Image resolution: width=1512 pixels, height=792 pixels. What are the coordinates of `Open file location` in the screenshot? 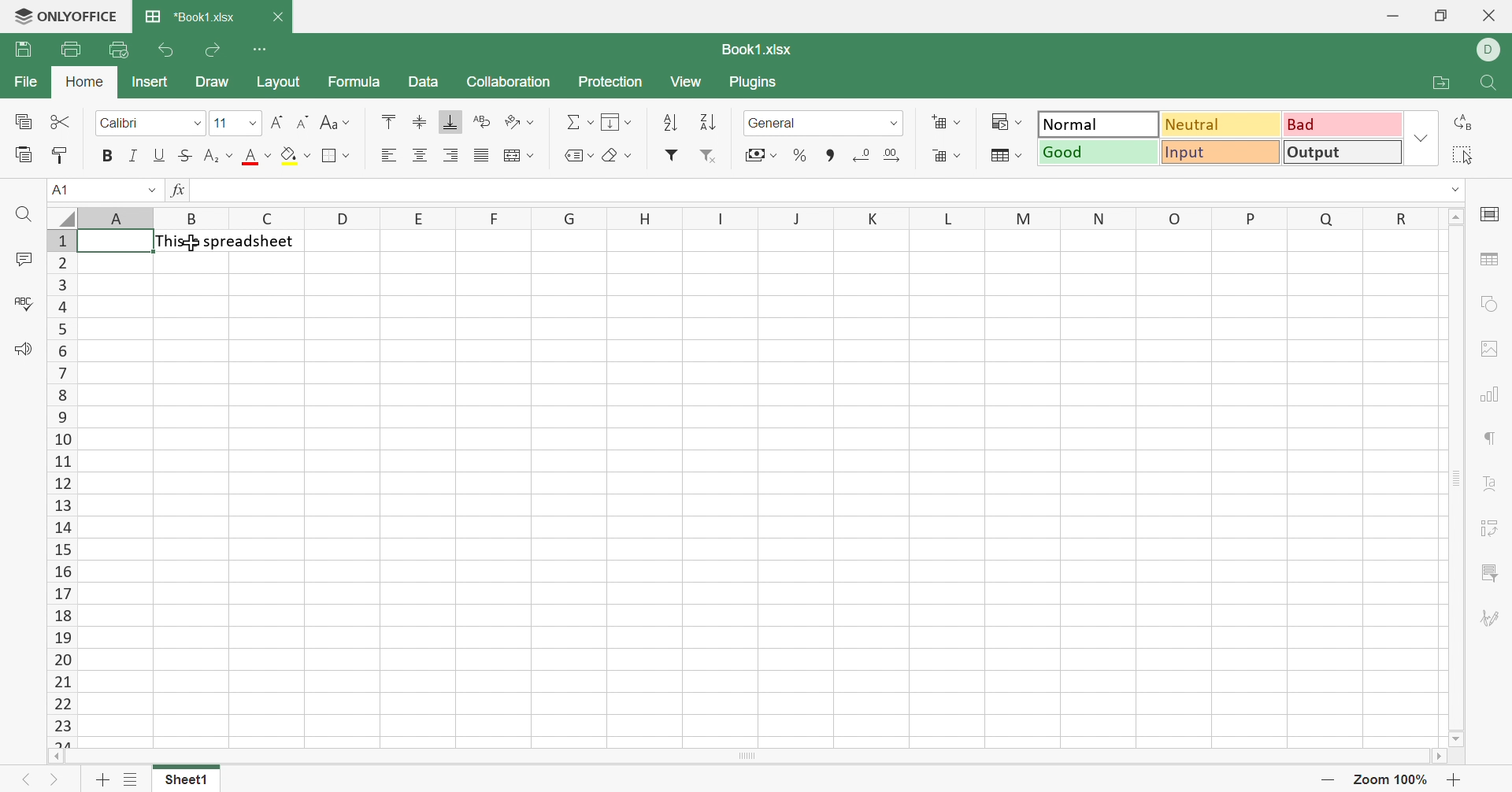 It's located at (1437, 85).